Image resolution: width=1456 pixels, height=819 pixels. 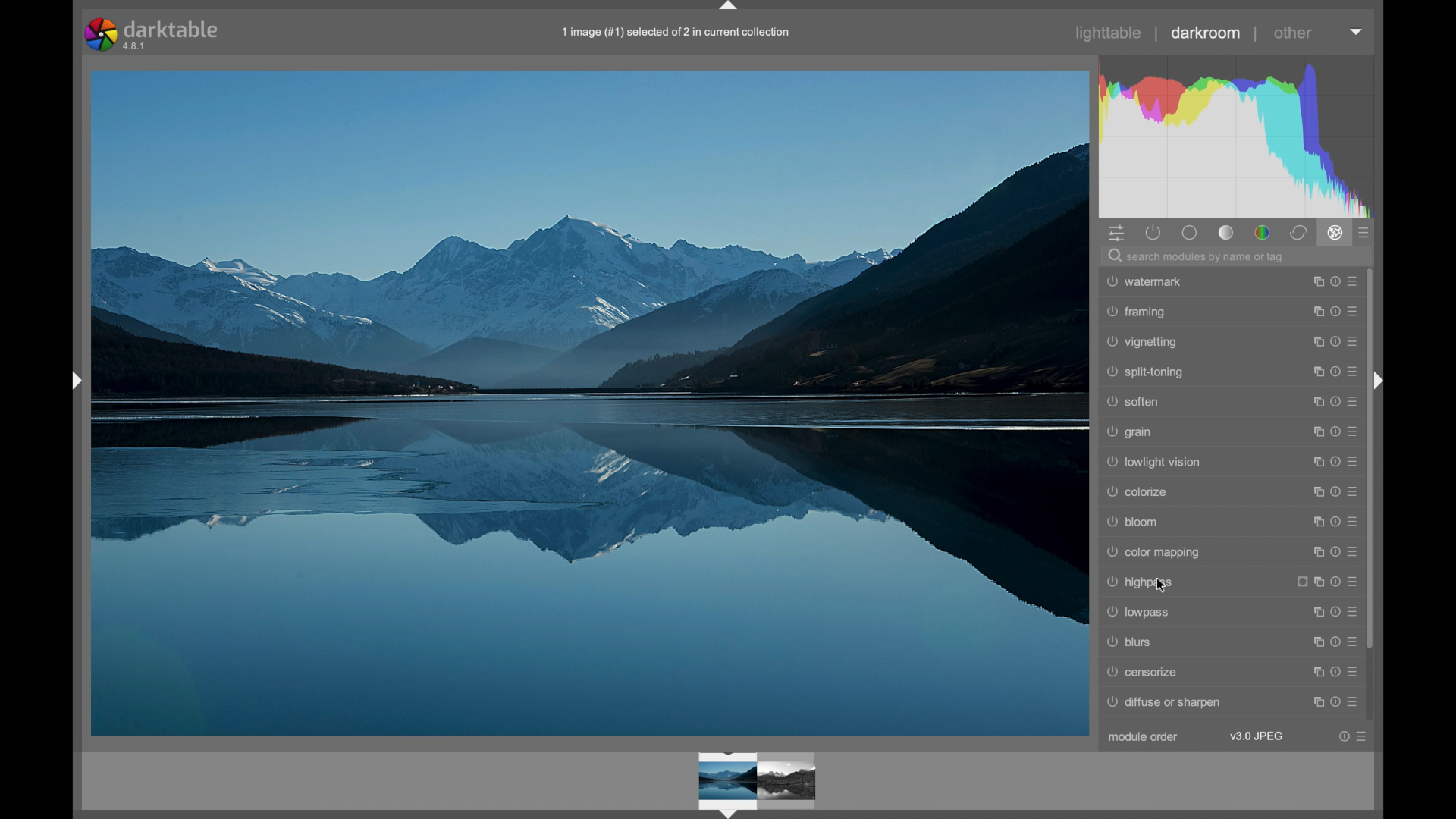 I want to click on more options, so click(x=1334, y=432).